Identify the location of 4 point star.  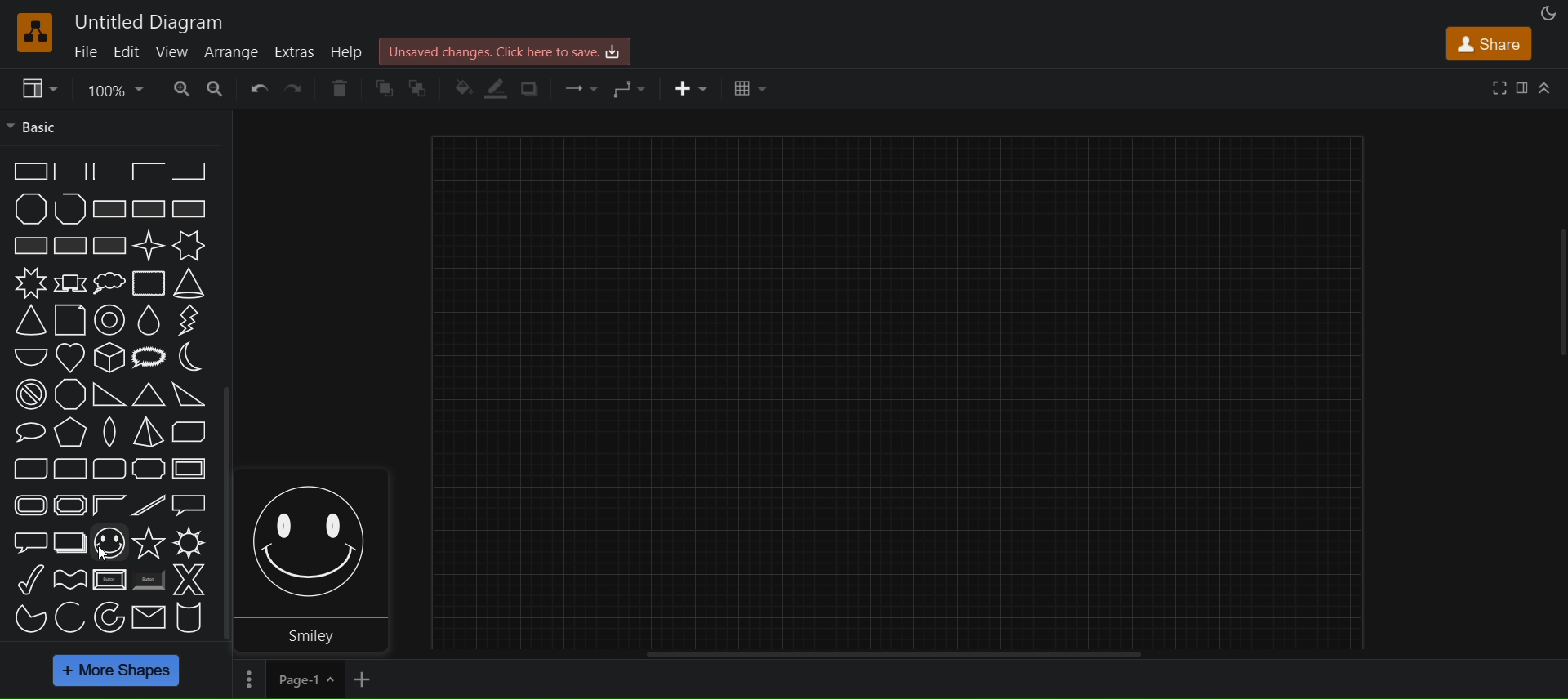
(148, 246).